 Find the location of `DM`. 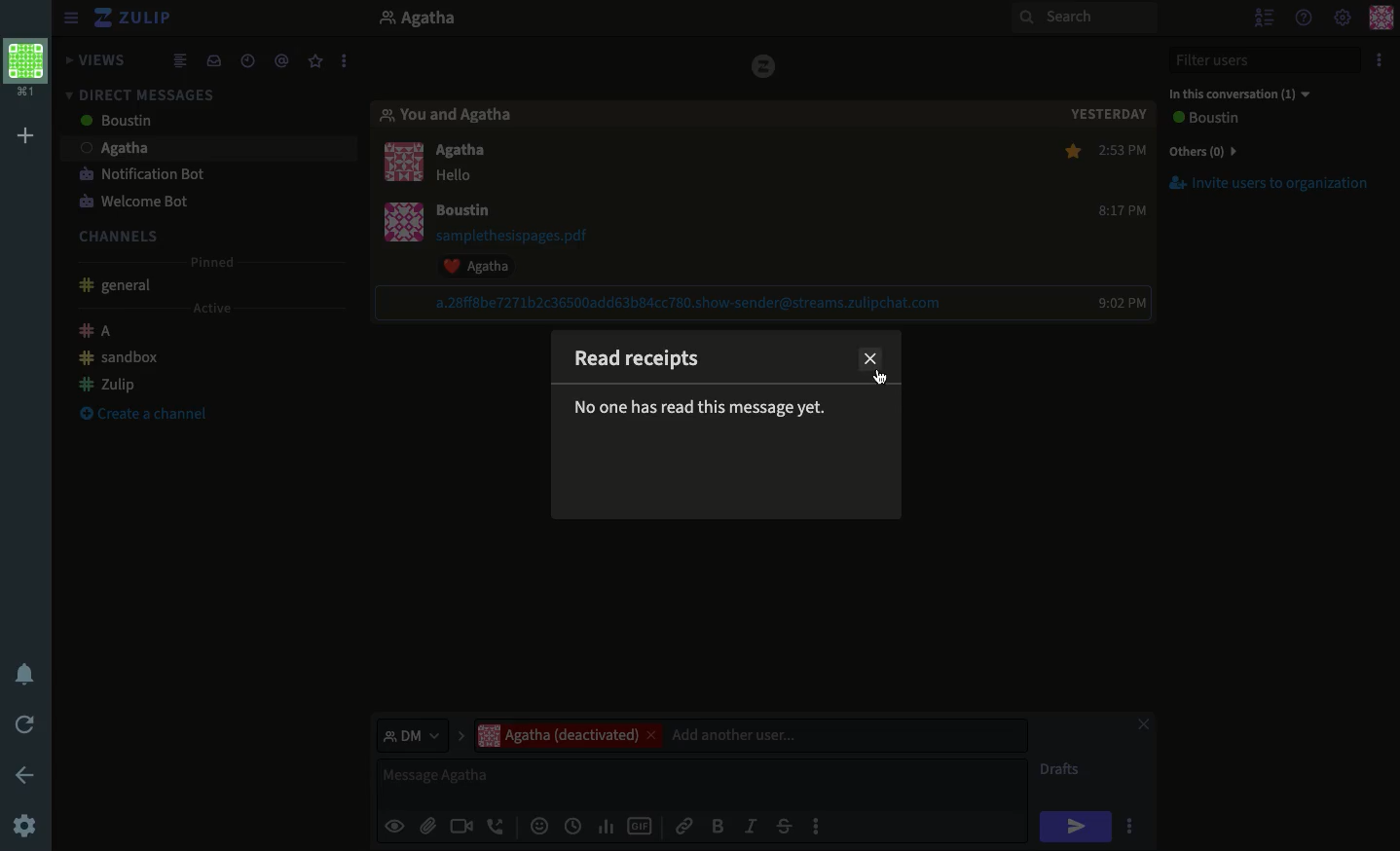

DM is located at coordinates (420, 734).